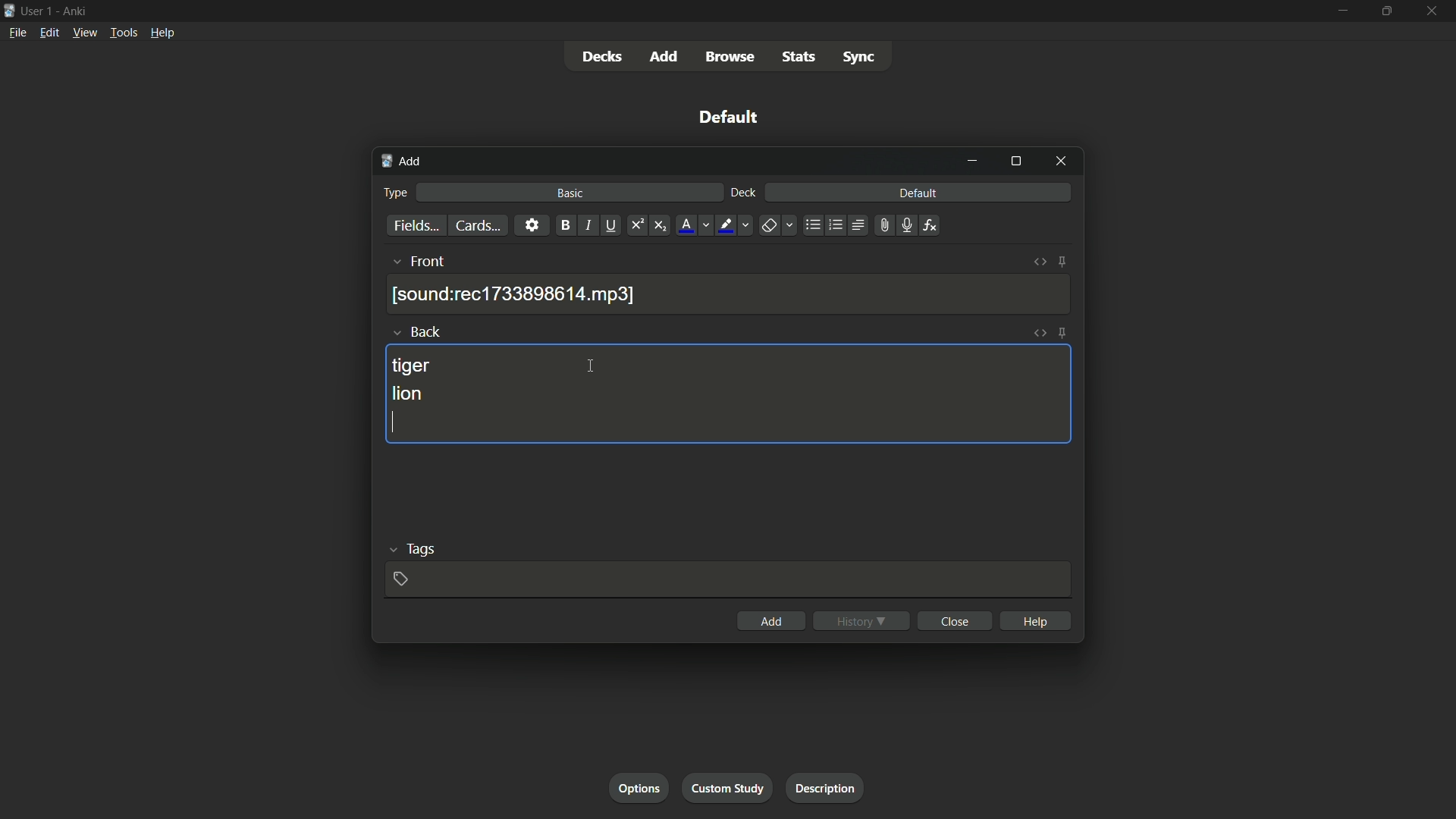  What do you see at coordinates (729, 117) in the screenshot?
I see `default` at bounding box center [729, 117].